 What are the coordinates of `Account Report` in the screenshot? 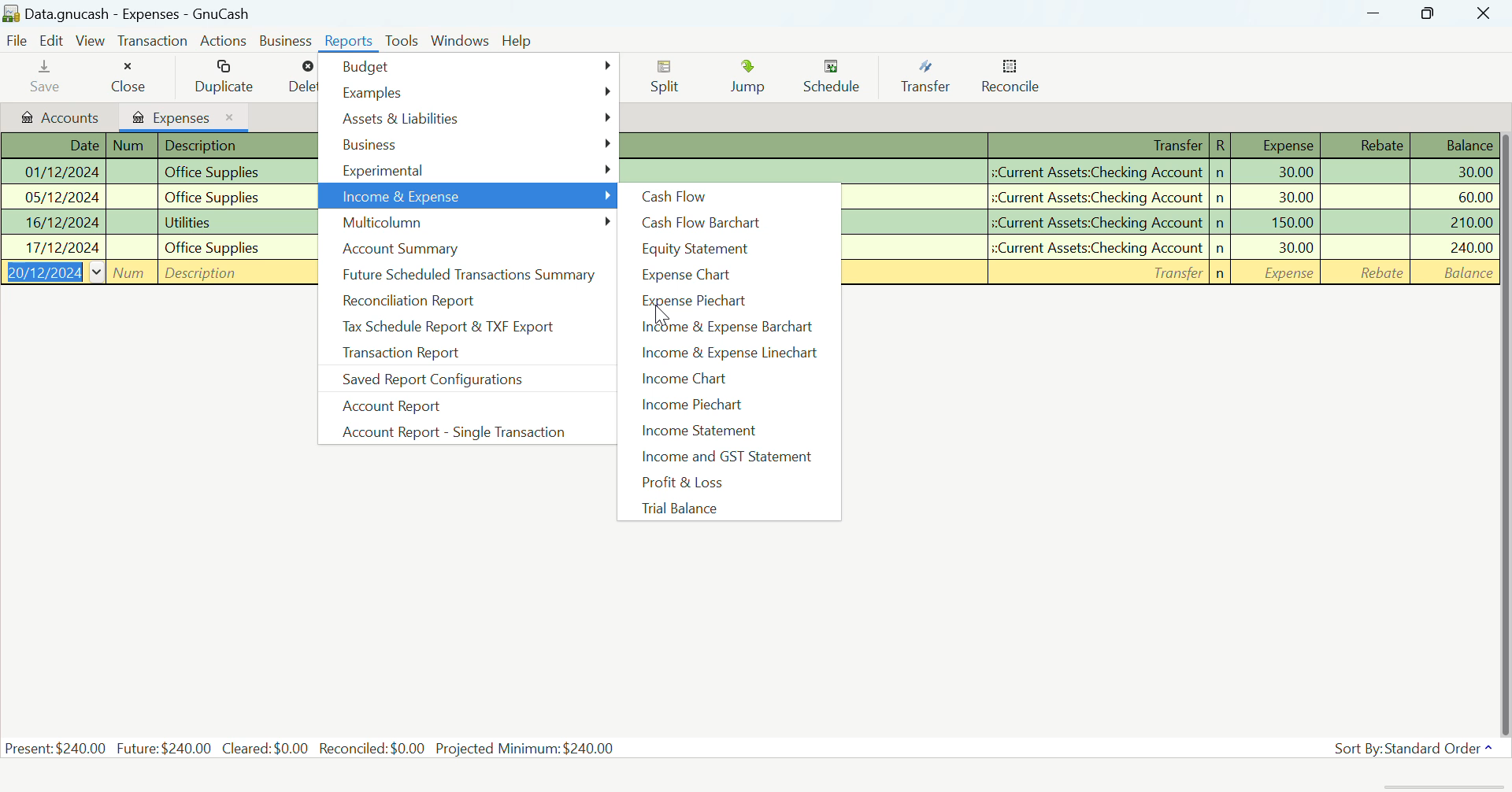 It's located at (450, 405).